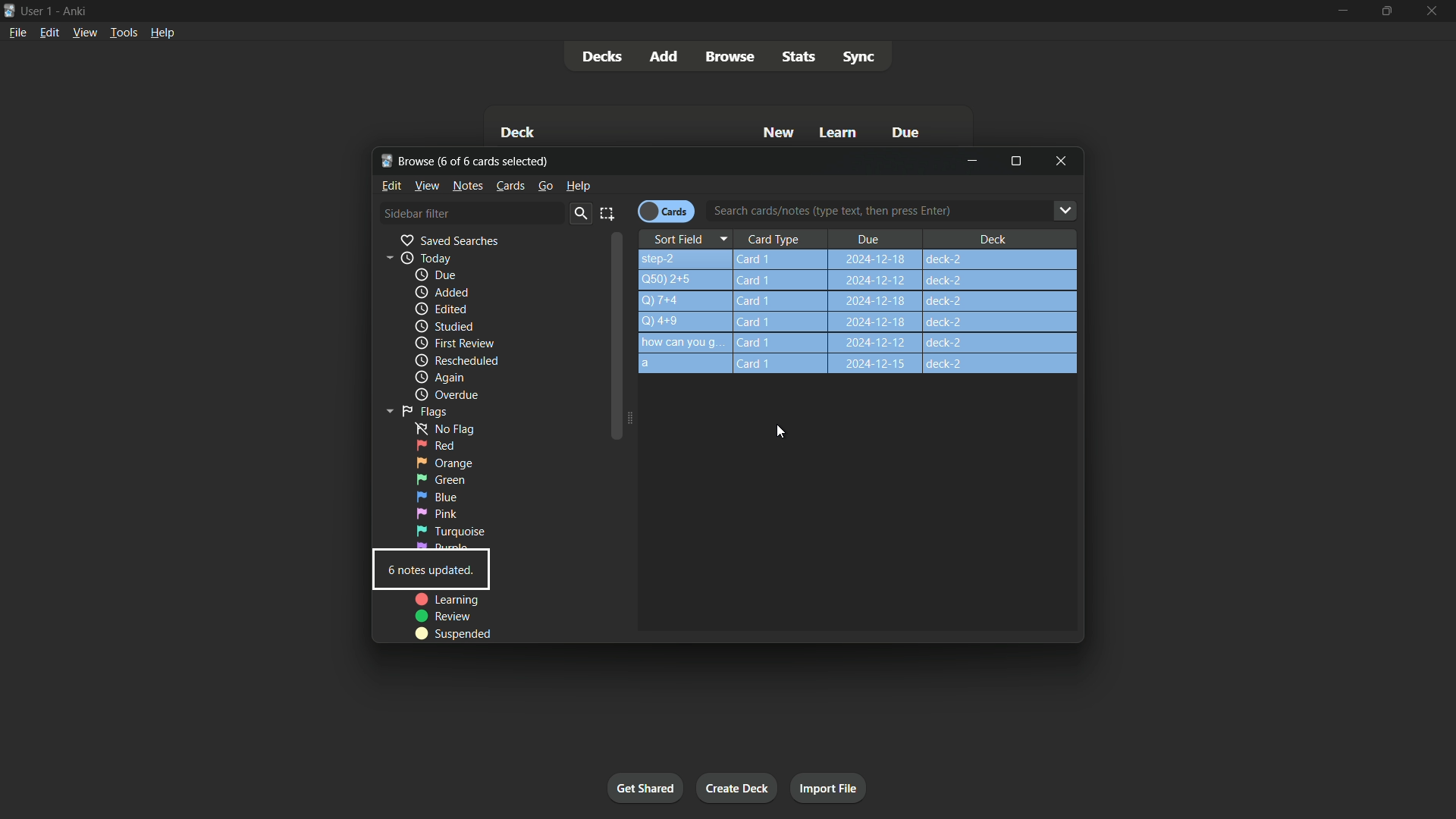 This screenshot has width=1456, height=819. I want to click on step-2 Card1 2024-12-18 deck-2 Q)50)2+5Q)7+4 Card1 2024-12-18 deck-2  14+9 Card 1 how can youg.. Card 1 2024-12-18 deck-2  a Card 1 2024-12-18 deck-2 , so click(863, 313).